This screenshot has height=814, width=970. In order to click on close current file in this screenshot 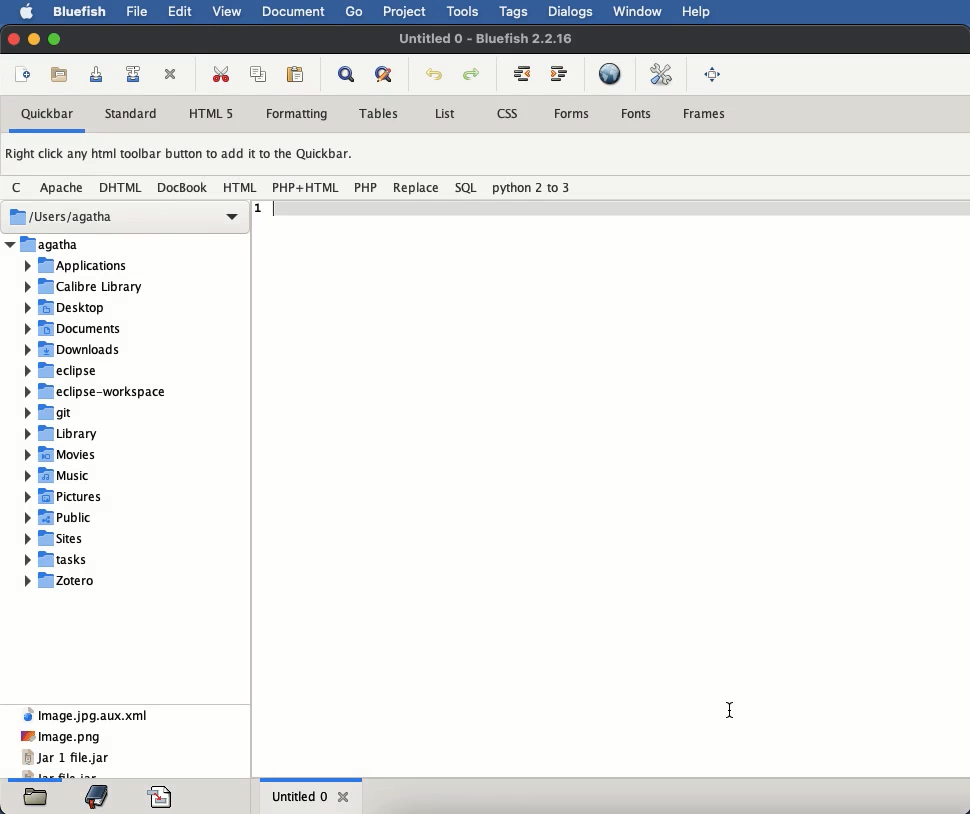, I will do `click(173, 76)`.